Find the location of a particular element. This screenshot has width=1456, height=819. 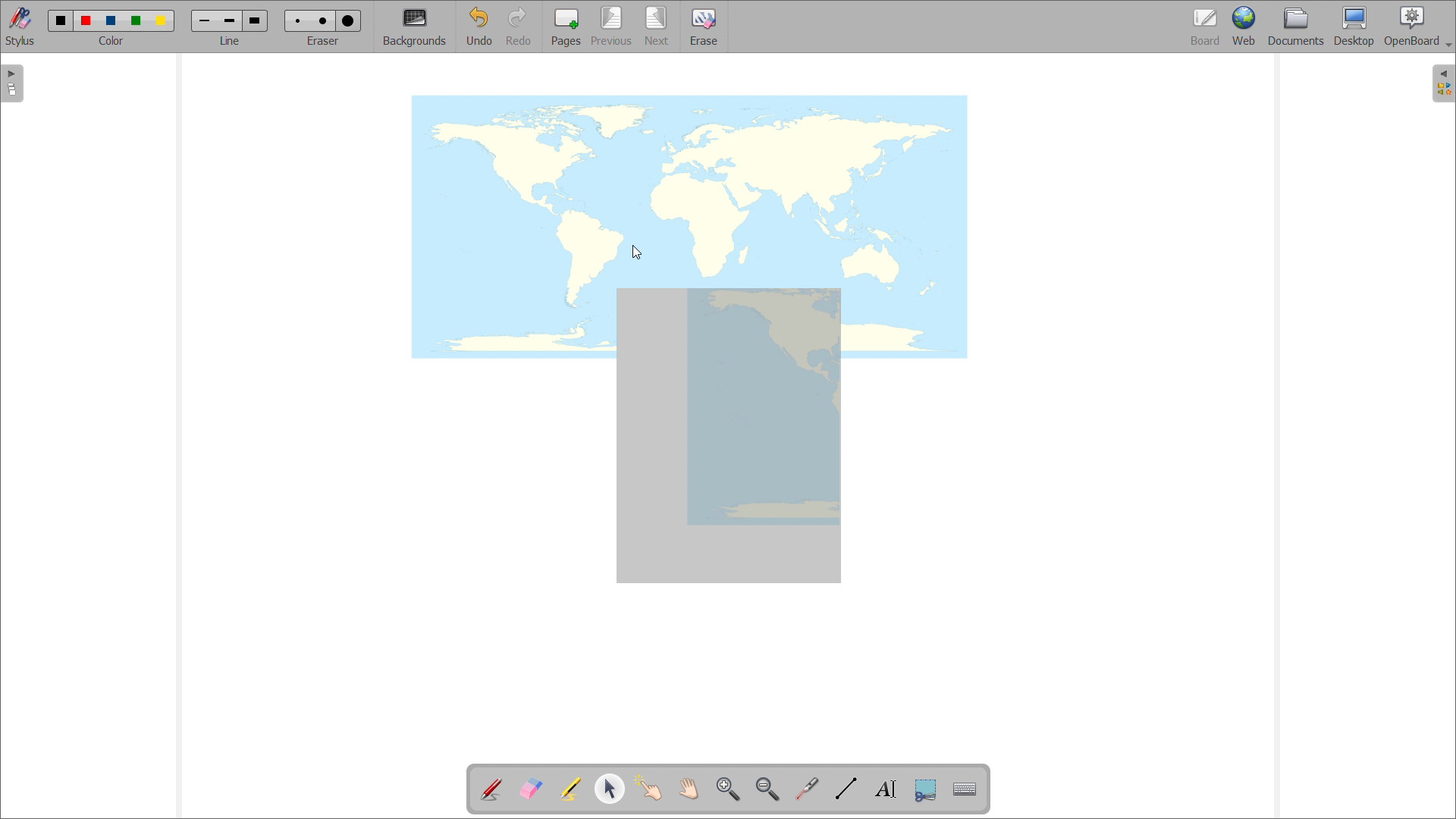

write text is located at coordinates (886, 789).